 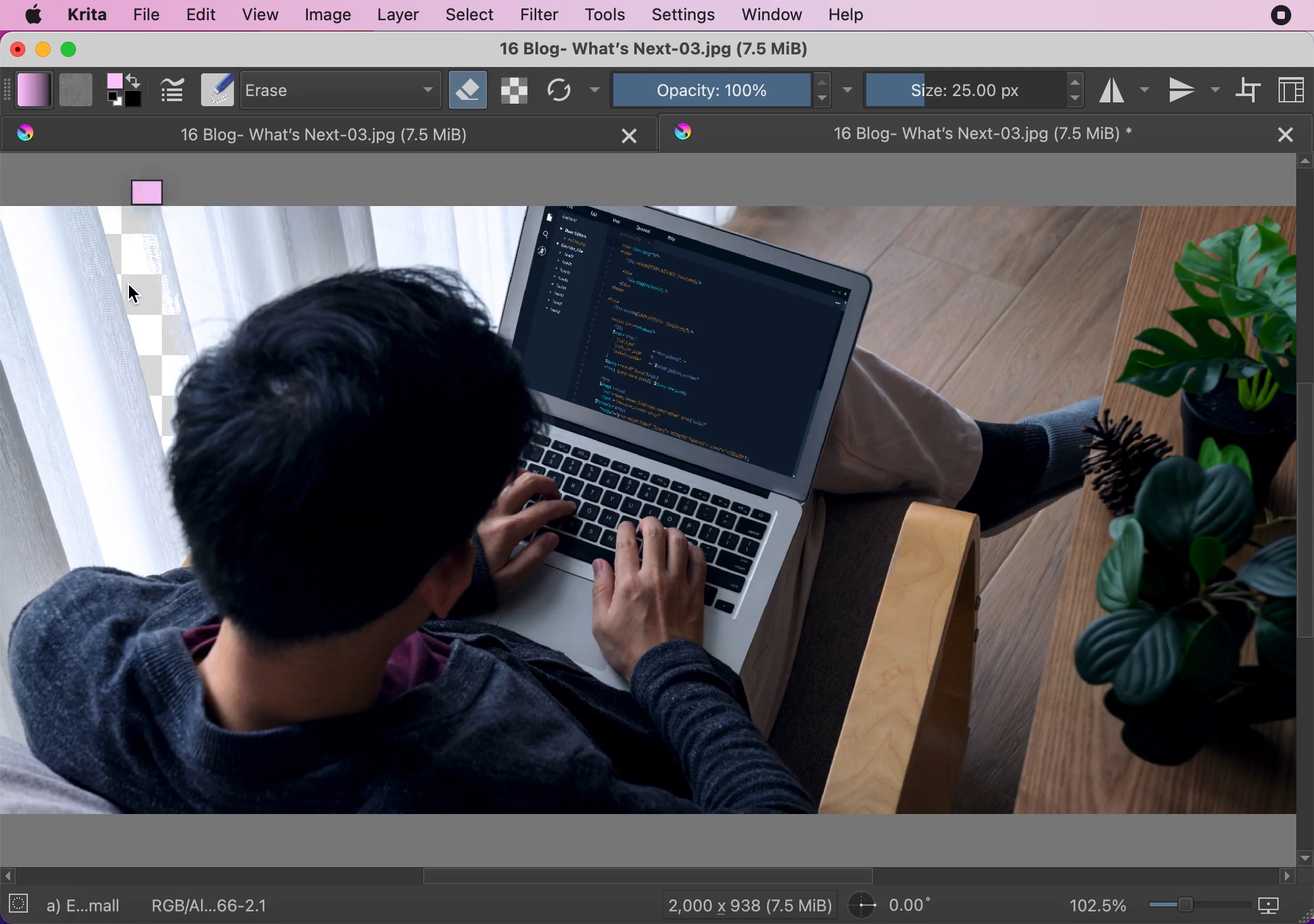 What do you see at coordinates (629, 137) in the screenshot?
I see `close` at bounding box center [629, 137].